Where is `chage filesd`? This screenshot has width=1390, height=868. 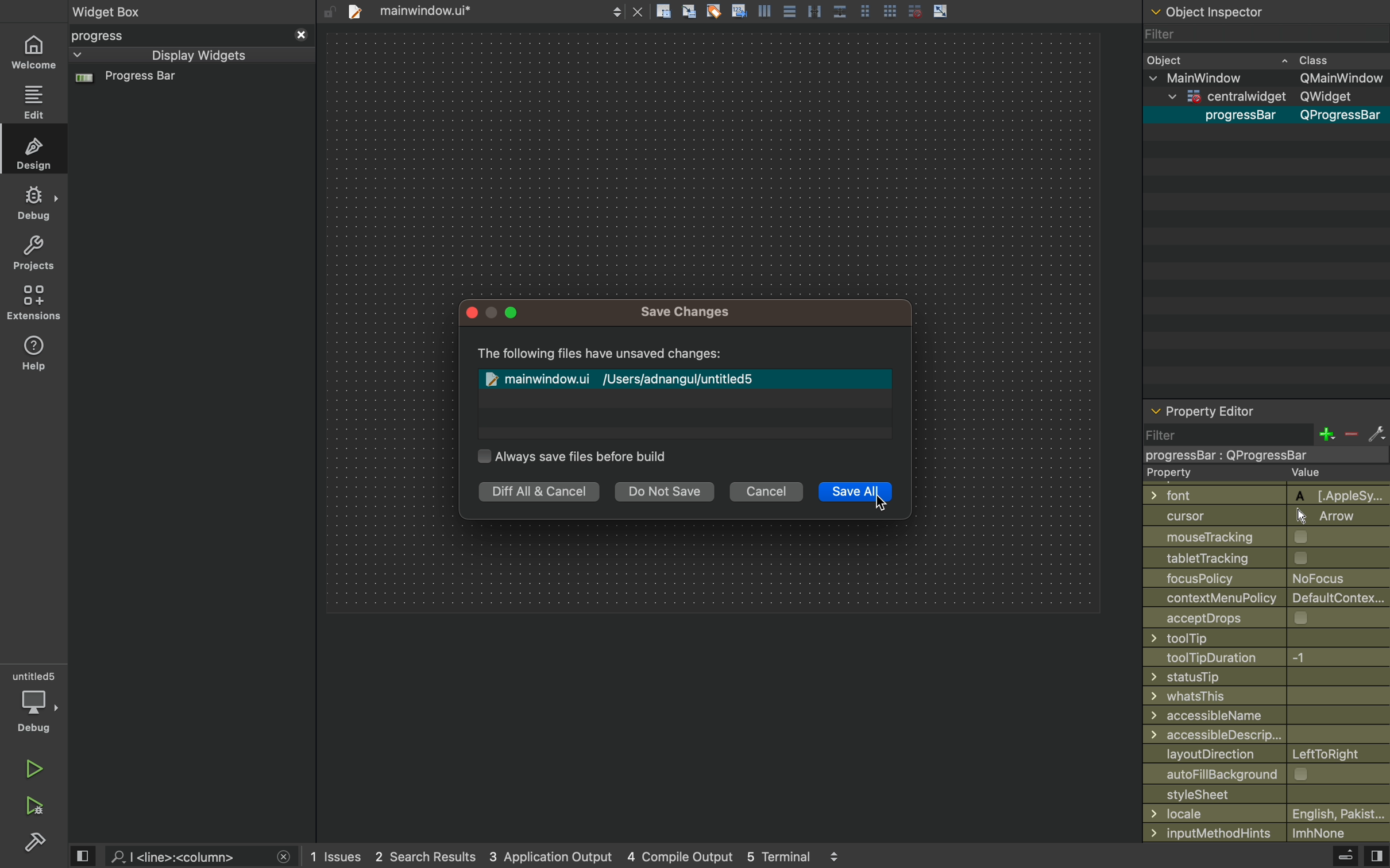
chage filesd is located at coordinates (689, 374).